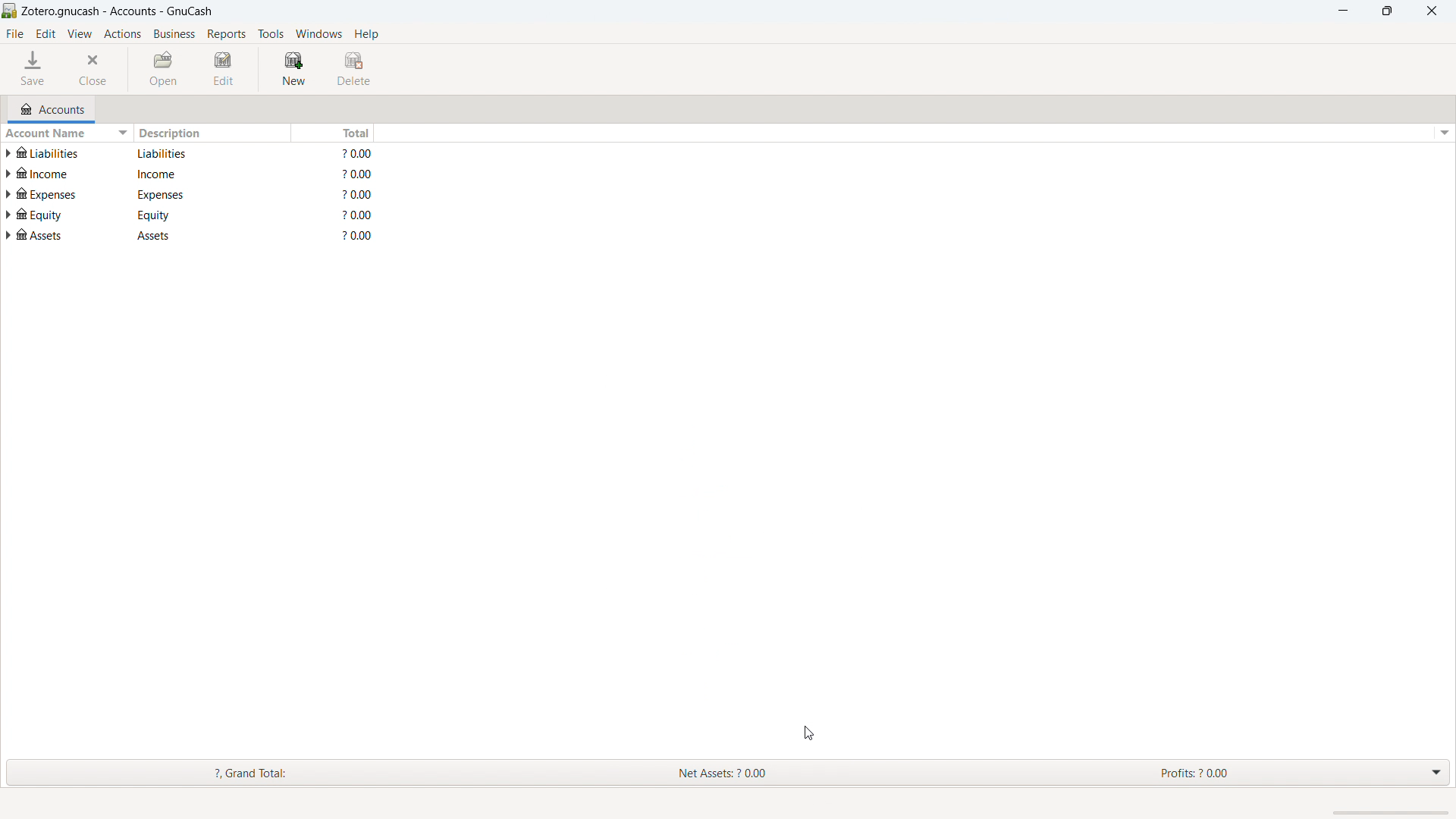 This screenshot has width=1456, height=819. What do you see at coordinates (166, 69) in the screenshot?
I see `open` at bounding box center [166, 69].